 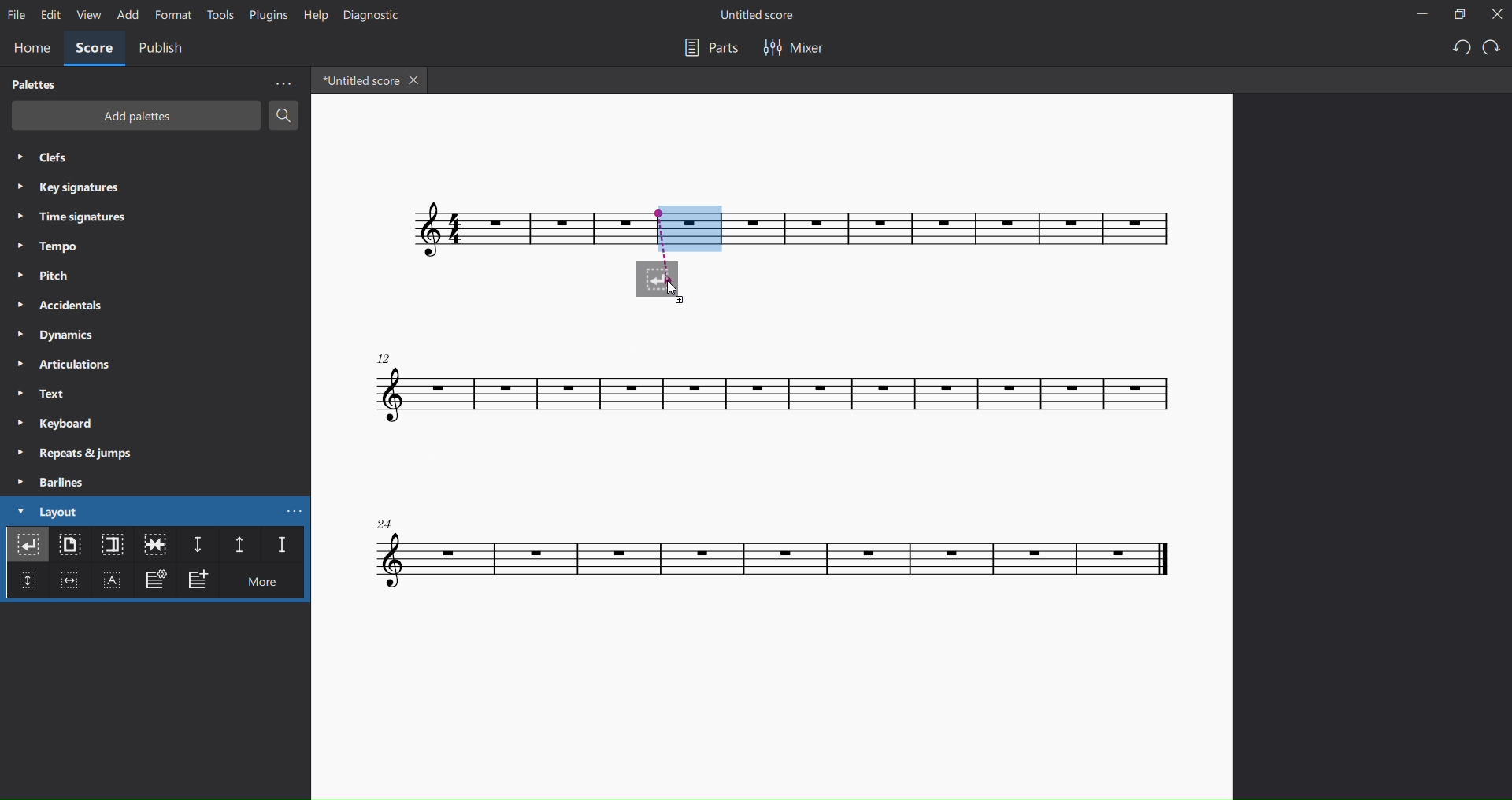 I want to click on help, so click(x=313, y=14).